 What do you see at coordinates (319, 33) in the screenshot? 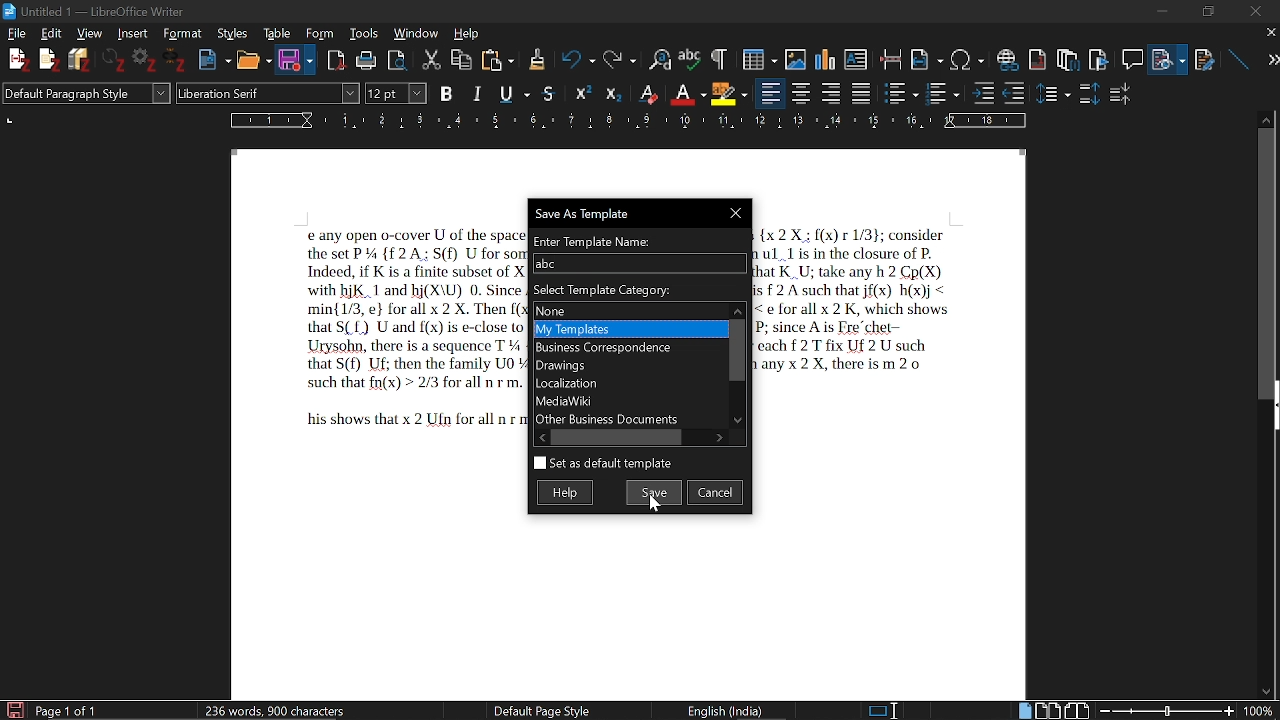
I see `Form` at bounding box center [319, 33].